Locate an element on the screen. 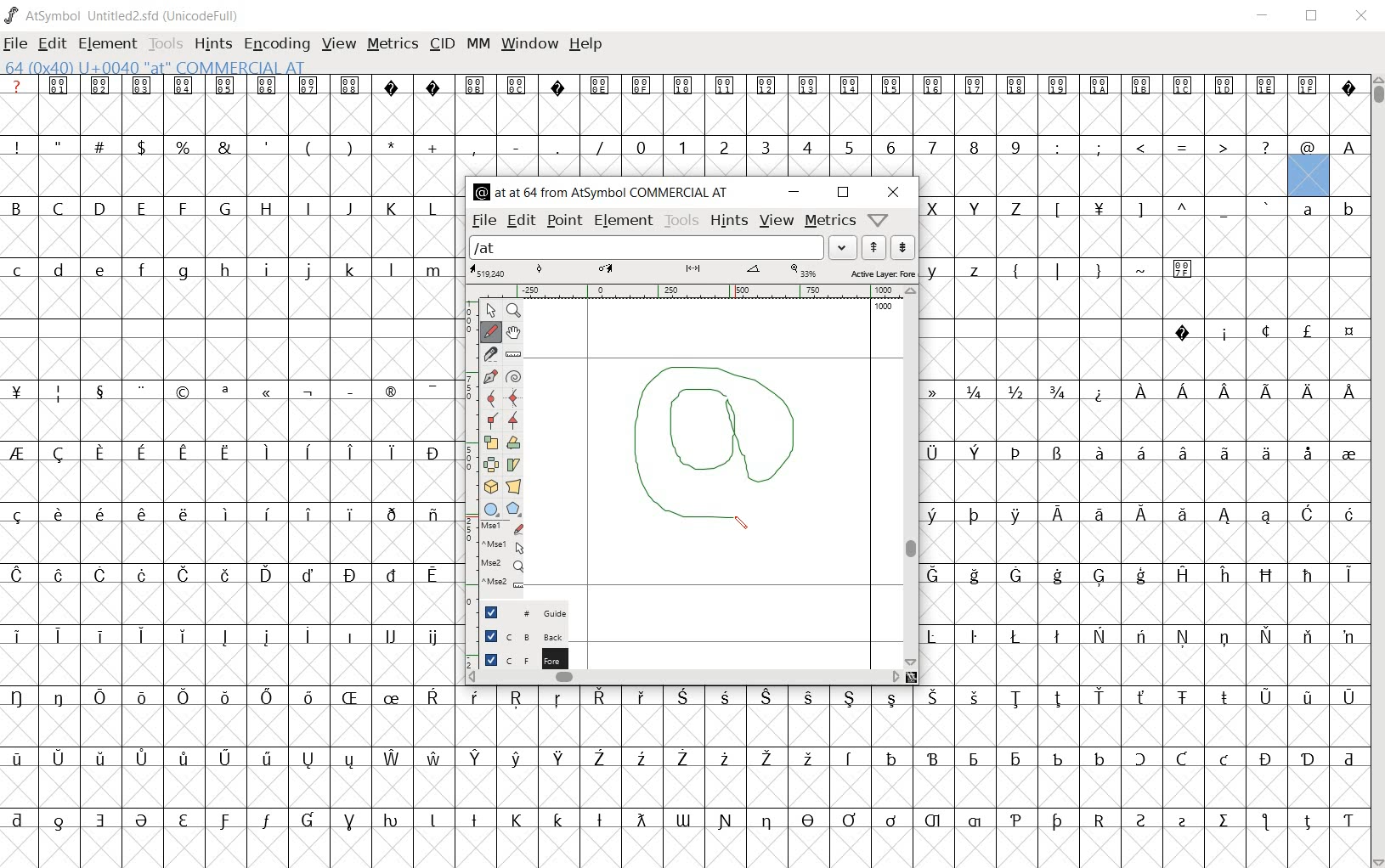 The width and height of the screenshot is (1385, 868). load word list dropdown is located at coordinates (845, 247).